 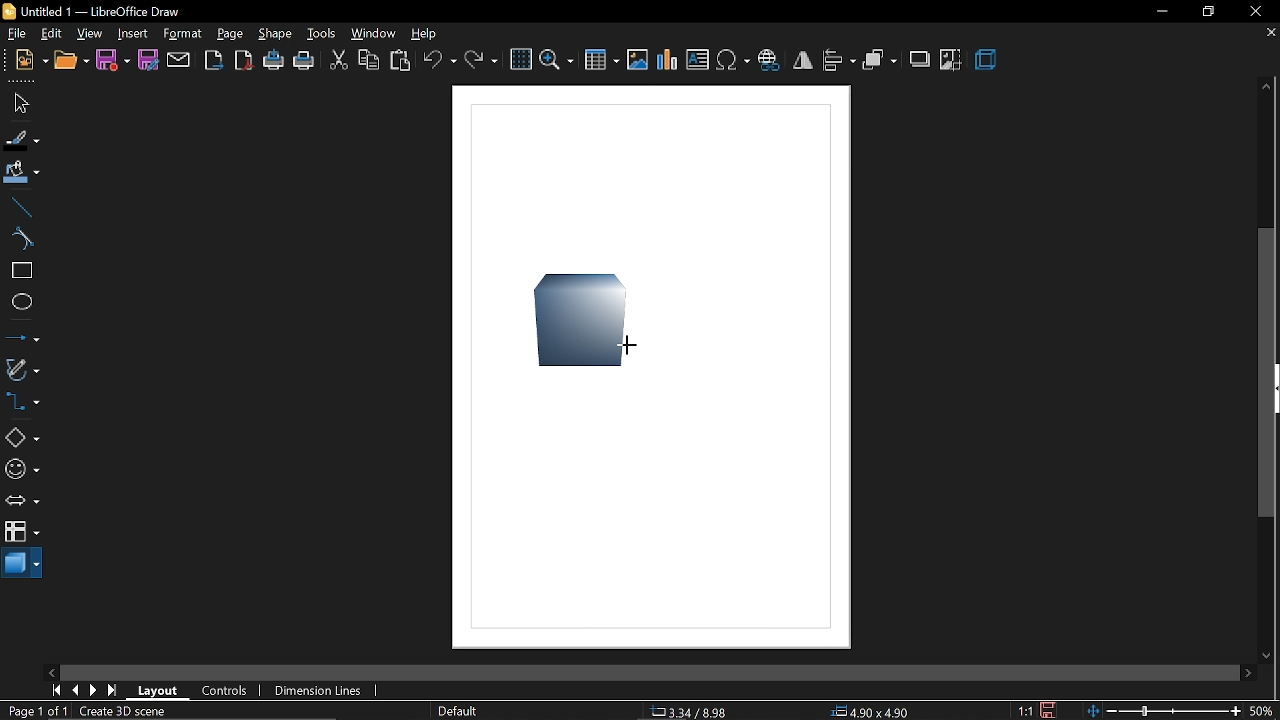 What do you see at coordinates (131, 710) in the screenshot?
I see `create 3D scene` at bounding box center [131, 710].